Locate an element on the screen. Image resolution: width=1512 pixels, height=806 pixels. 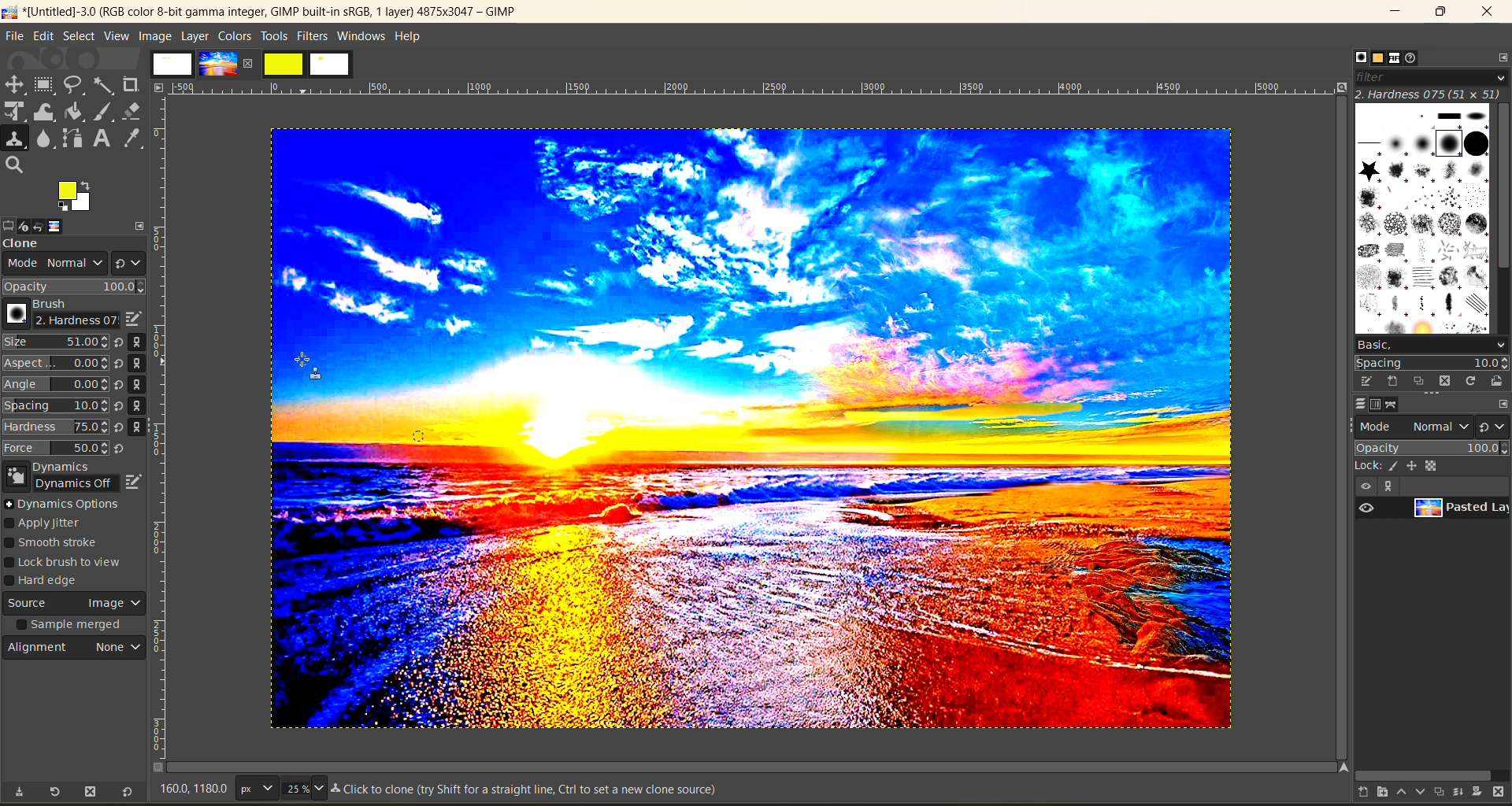
layers is located at coordinates (1355, 405).